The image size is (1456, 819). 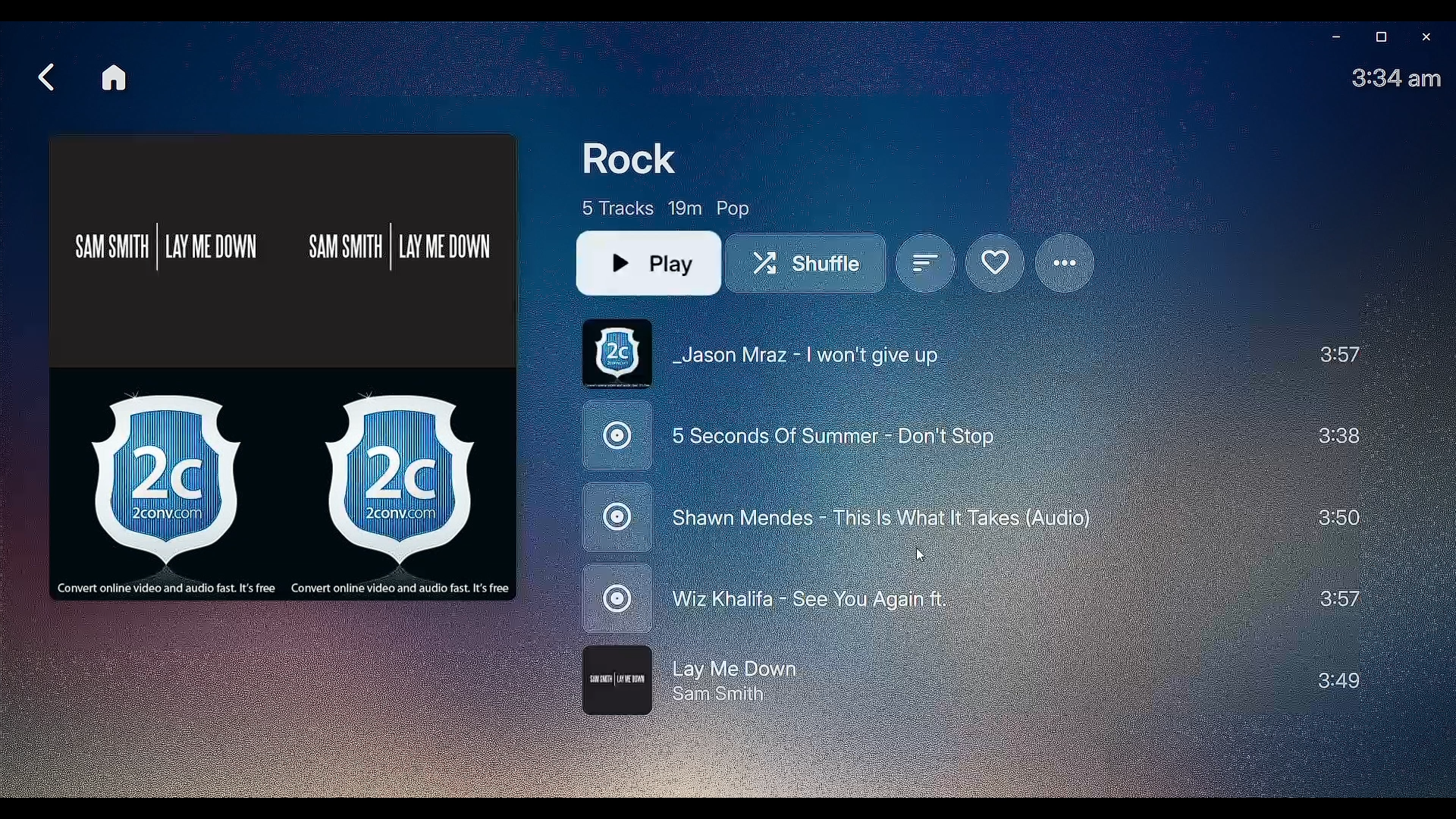 What do you see at coordinates (115, 77) in the screenshot?
I see `Home` at bounding box center [115, 77].